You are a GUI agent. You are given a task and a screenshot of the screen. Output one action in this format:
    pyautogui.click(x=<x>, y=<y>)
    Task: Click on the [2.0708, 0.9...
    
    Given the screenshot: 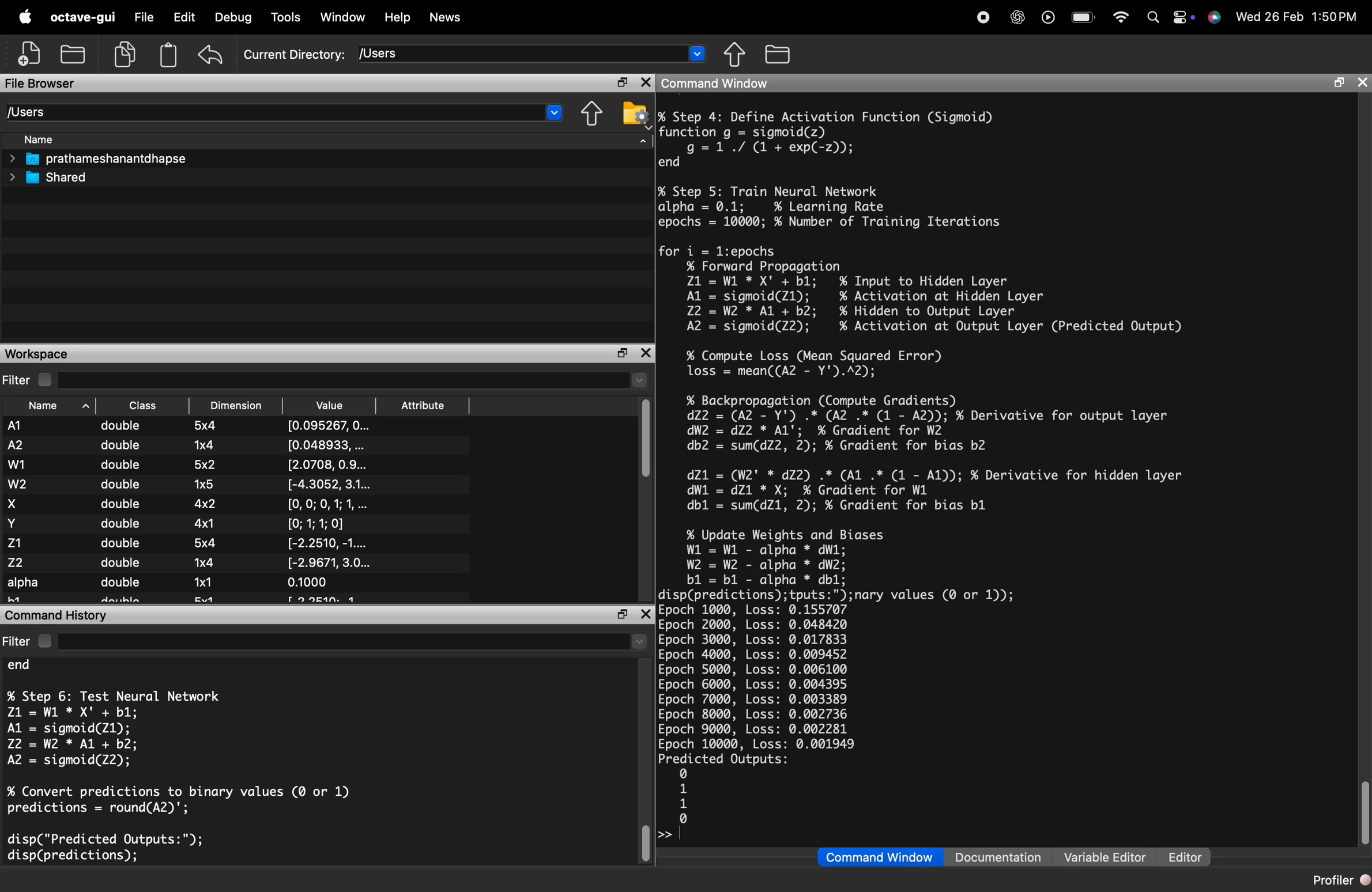 What is the action you would take?
    pyautogui.click(x=330, y=464)
    